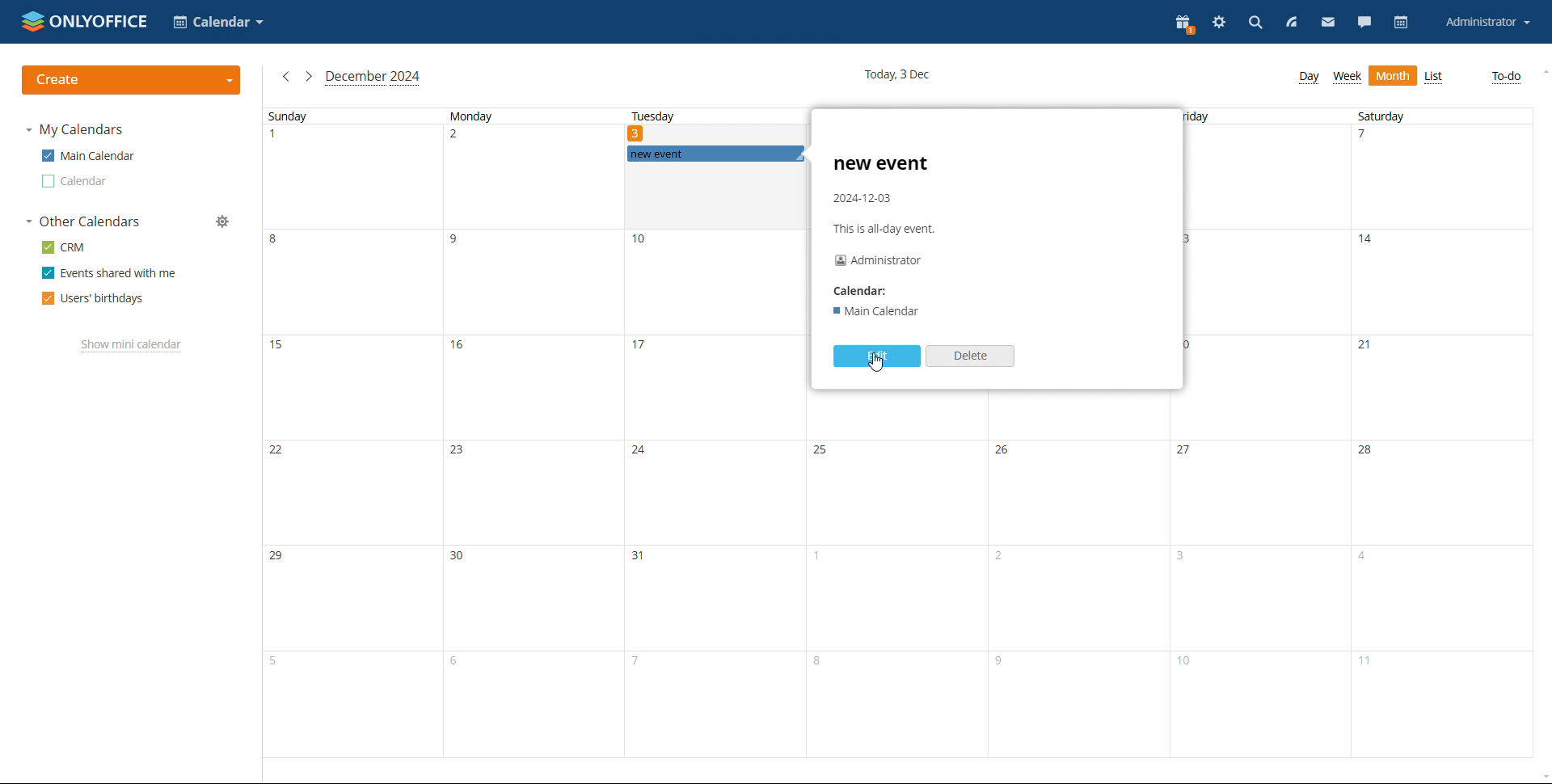 The height and width of the screenshot is (784, 1552). Describe the element at coordinates (638, 133) in the screenshot. I see `date` at that location.